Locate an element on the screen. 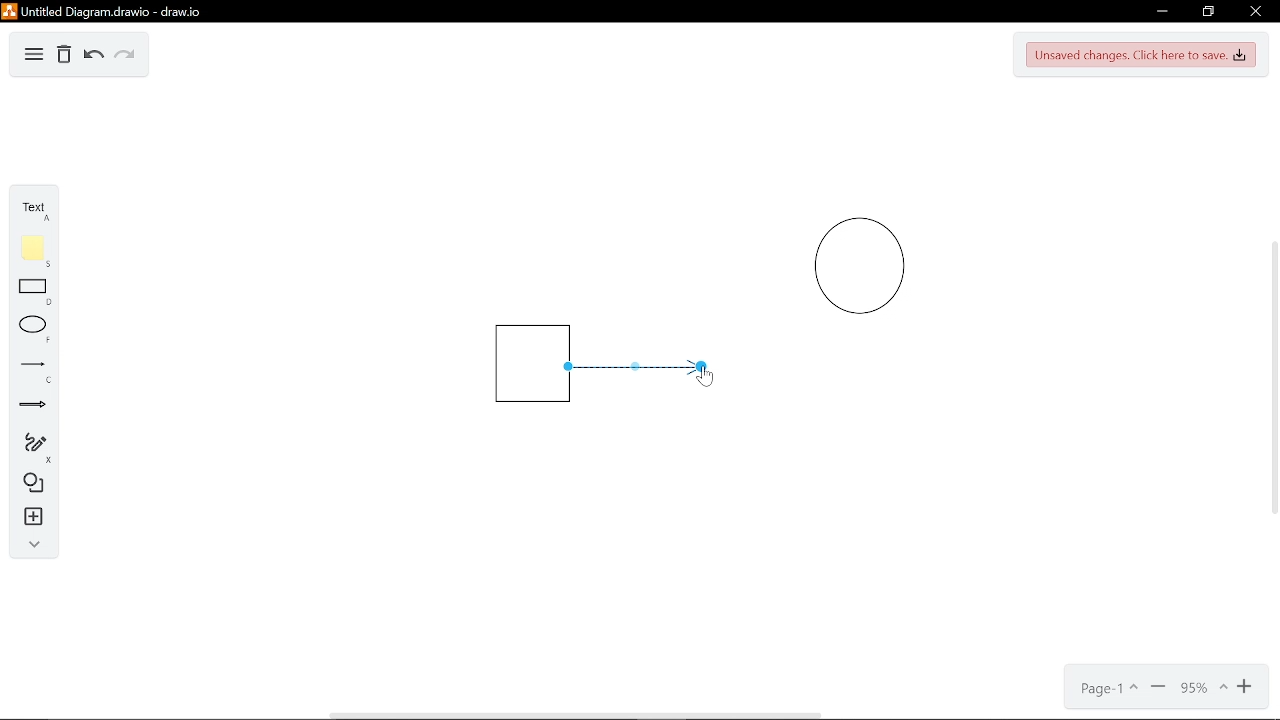 Image resolution: width=1280 pixels, height=720 pixels. Circle is located at coordinates (868, 268).